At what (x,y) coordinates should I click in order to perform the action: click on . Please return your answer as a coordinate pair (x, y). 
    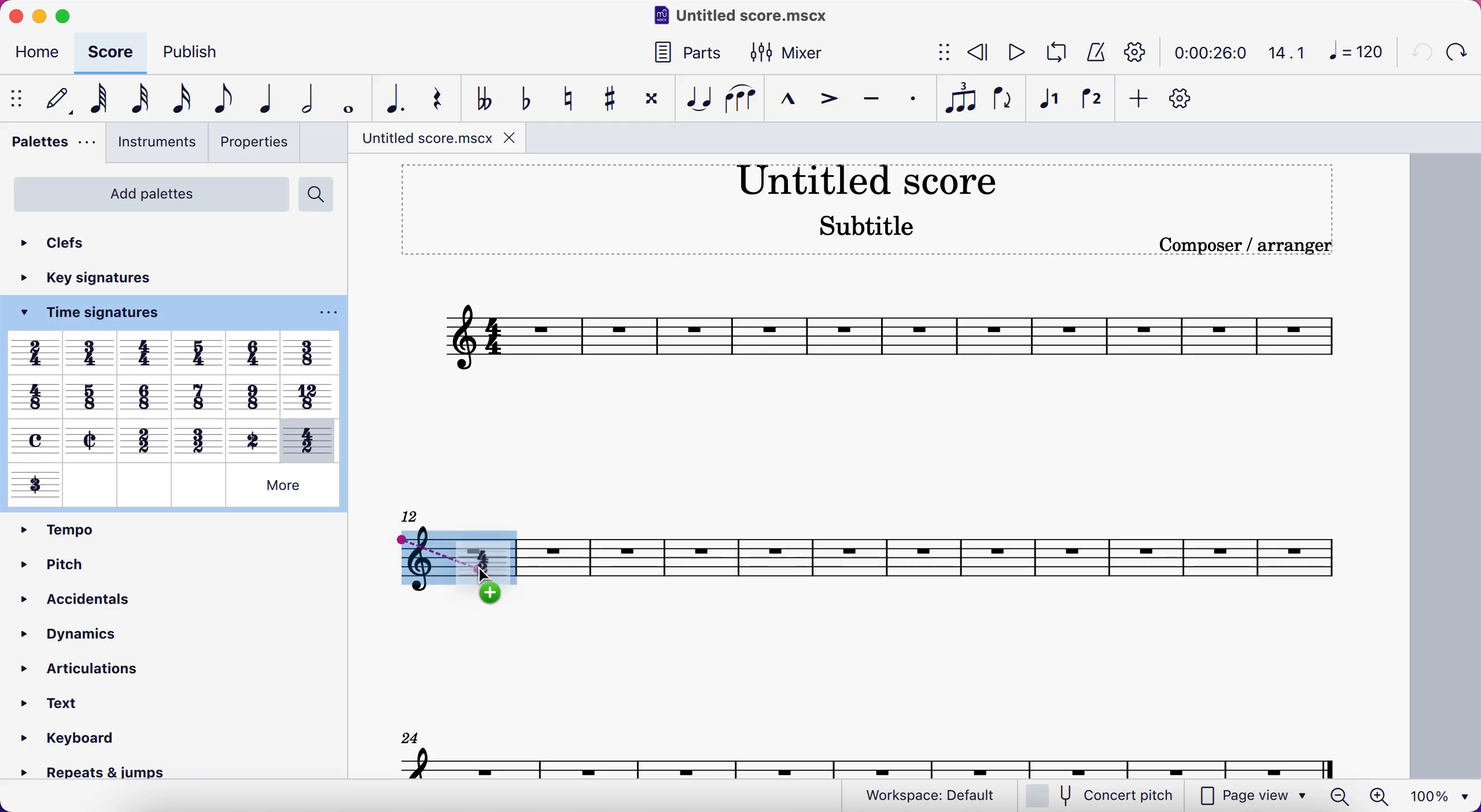
    Looking at the image, I should click on (90, 395).